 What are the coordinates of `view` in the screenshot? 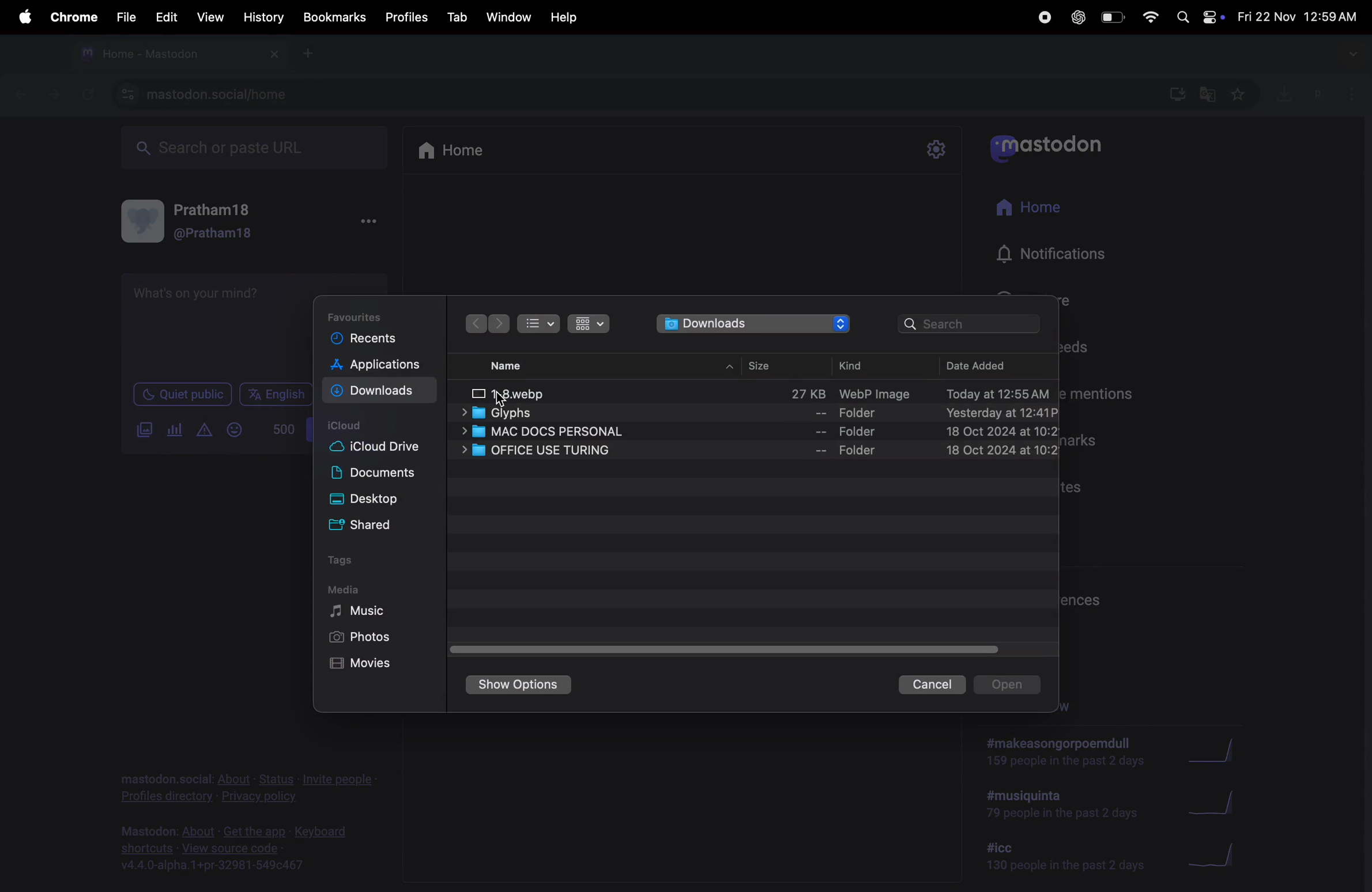 It's located at (210, 17).